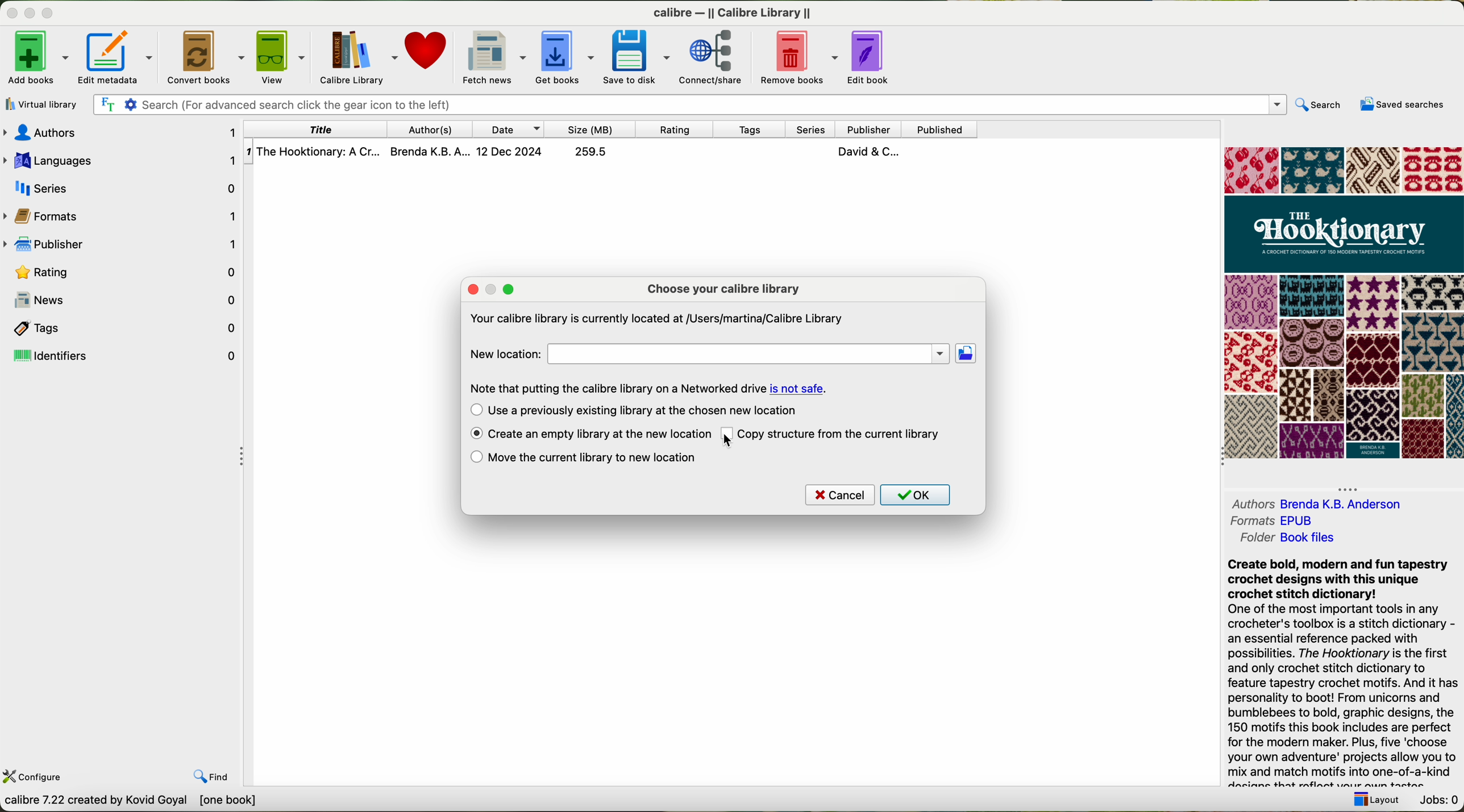  Describe the element at coordinates (40, 105) in the screenshot. I see `virtual library` at that location.